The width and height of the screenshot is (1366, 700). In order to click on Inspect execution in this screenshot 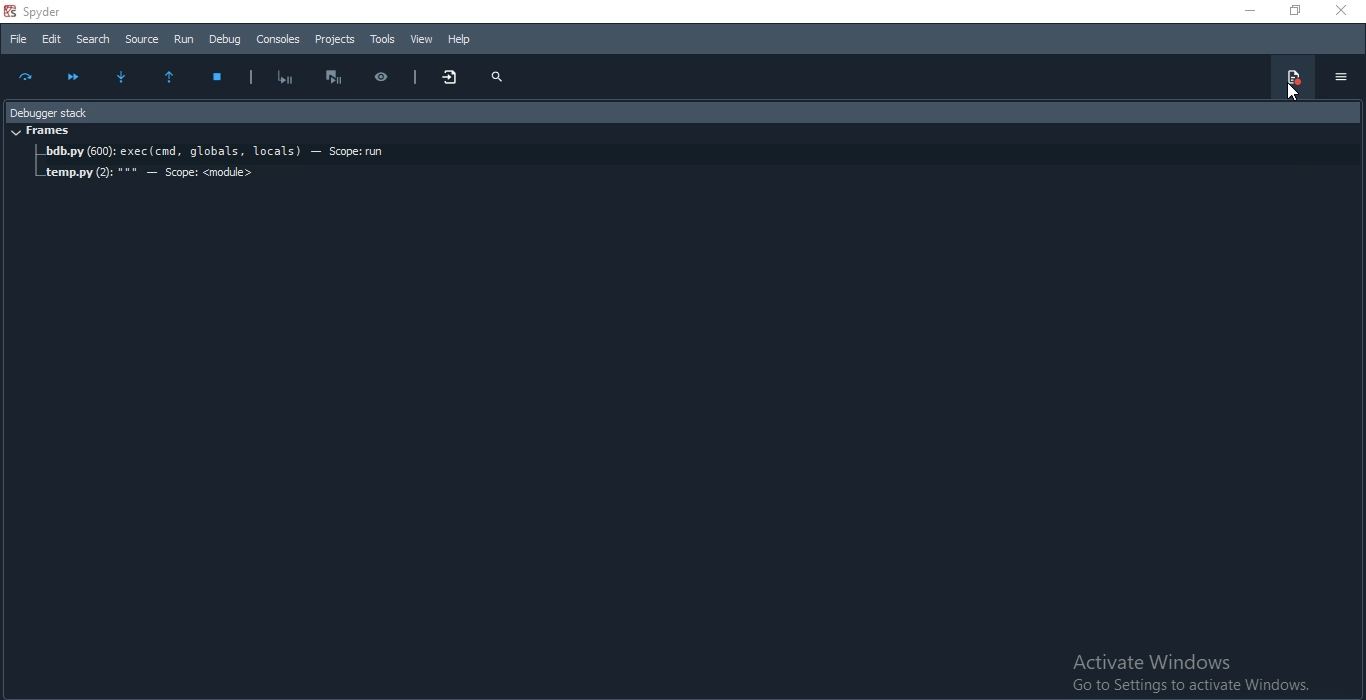, I will do `click(389, 74)`.